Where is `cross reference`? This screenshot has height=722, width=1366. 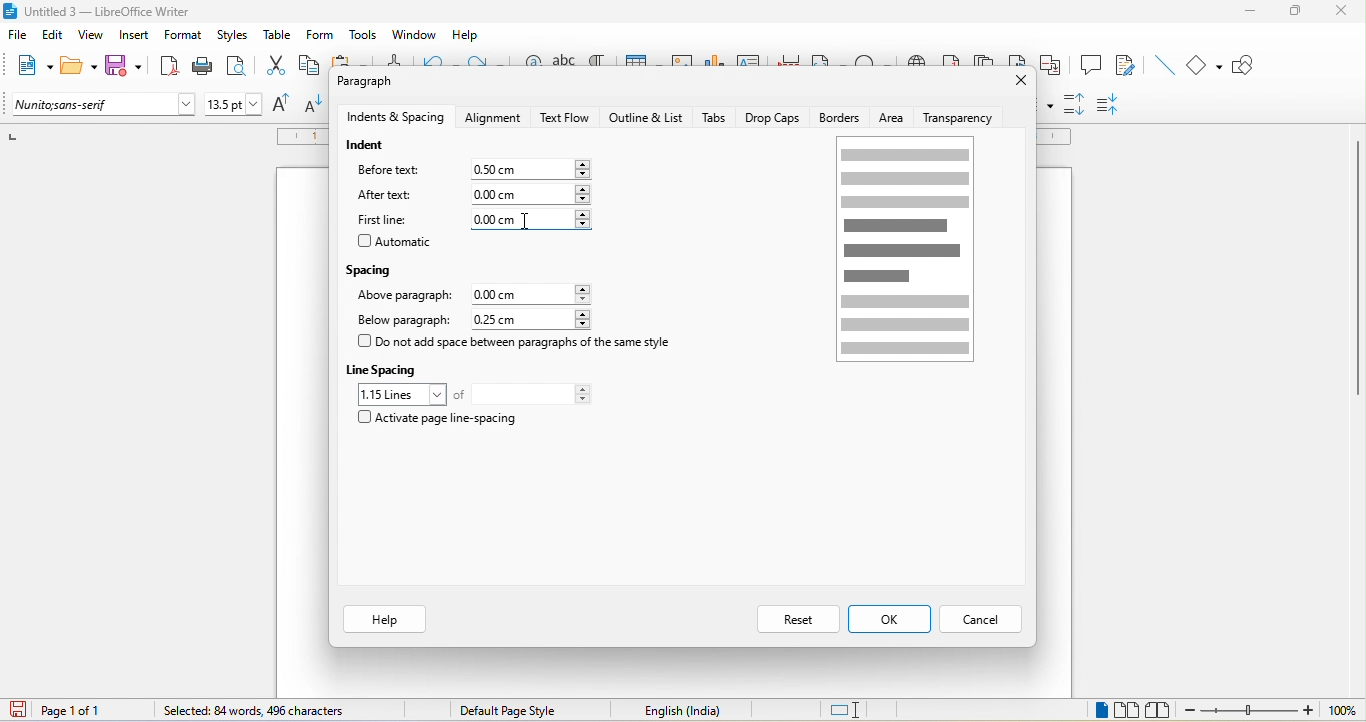
cross reference is located at coordinates (1055, 65).